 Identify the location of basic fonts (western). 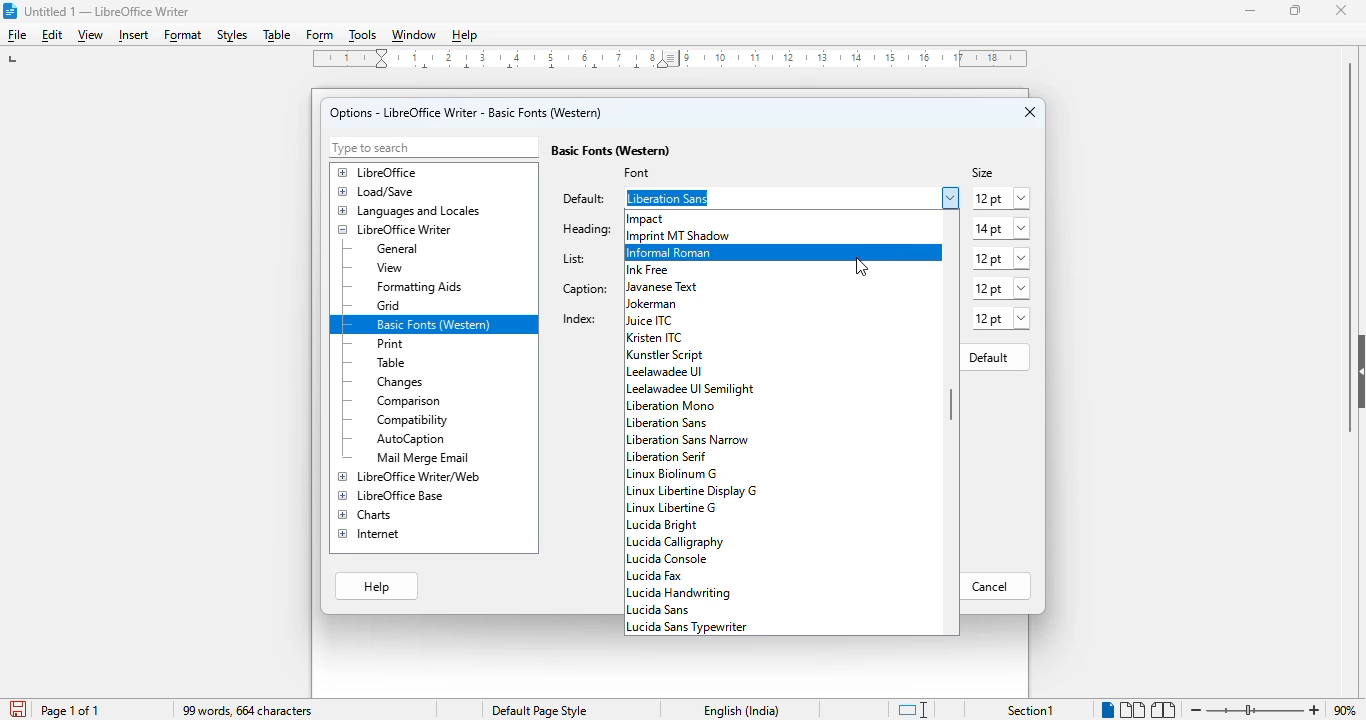
(434, 325).